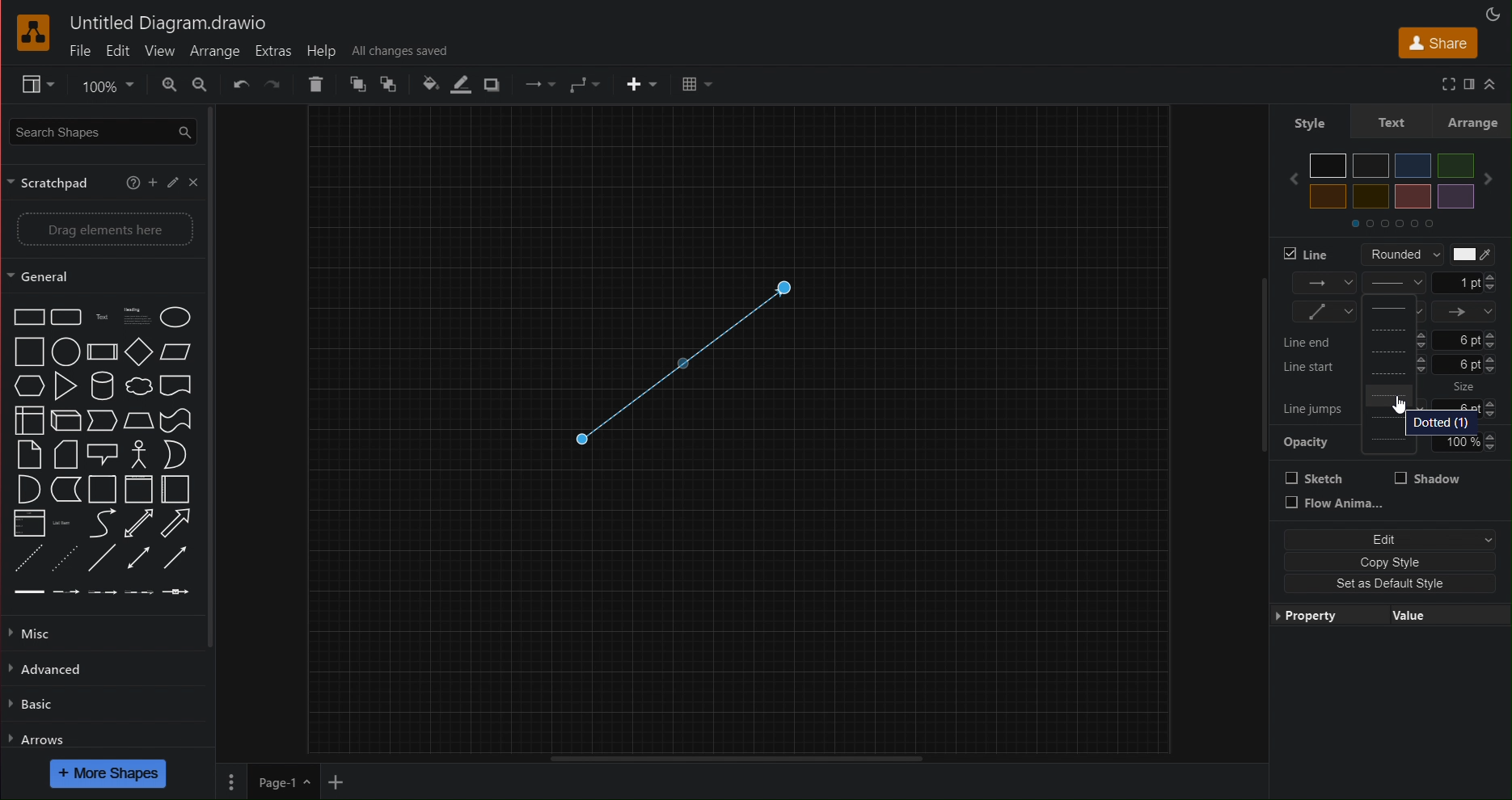 This screenshot has height=800, width=1512. What do you see at coordinates (214, 50) in the screenshot?
I see `Arrange` at bounding box center [214, 50].